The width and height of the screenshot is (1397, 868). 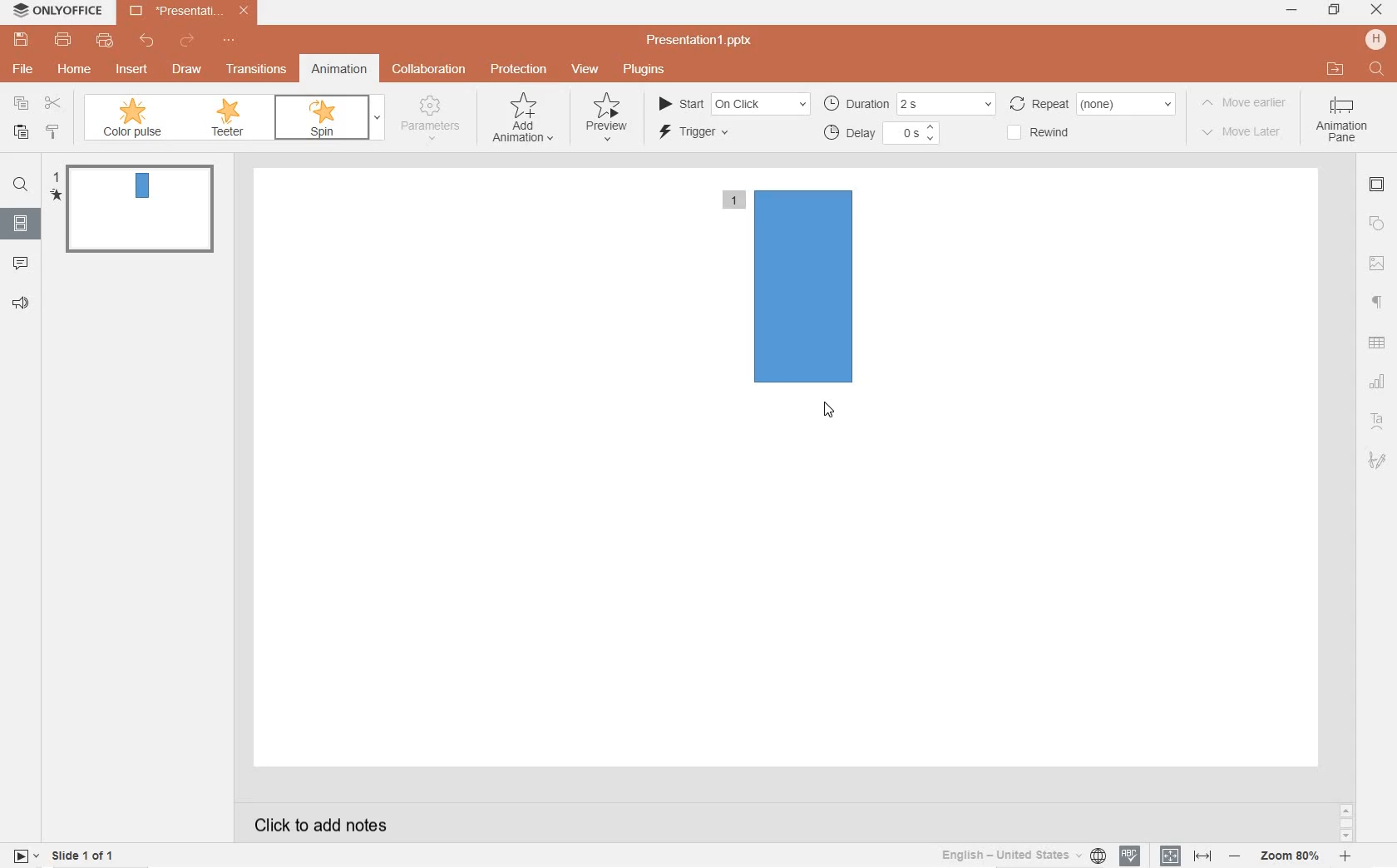 I want to click on Presentation1.pptx, so click(x=702, y=40).